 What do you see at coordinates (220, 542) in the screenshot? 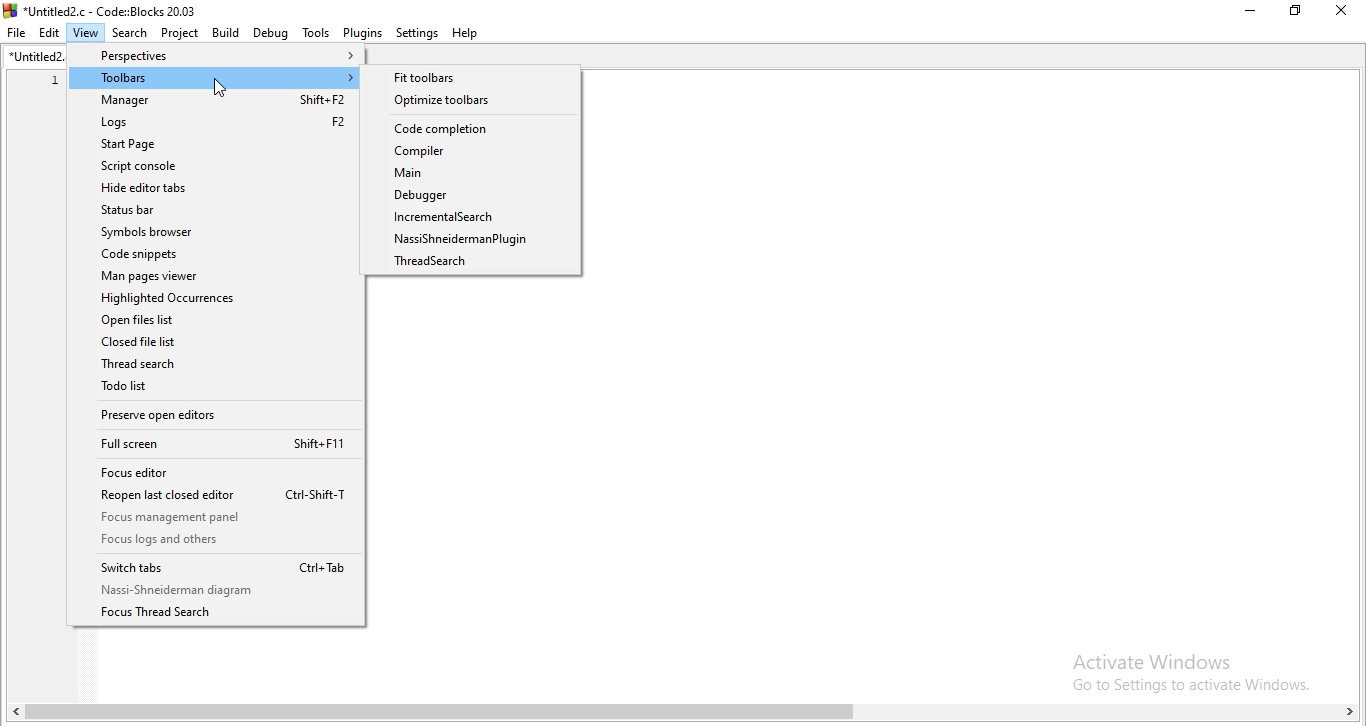
I see `Focus legs and others` at bounding box center [220, 542].